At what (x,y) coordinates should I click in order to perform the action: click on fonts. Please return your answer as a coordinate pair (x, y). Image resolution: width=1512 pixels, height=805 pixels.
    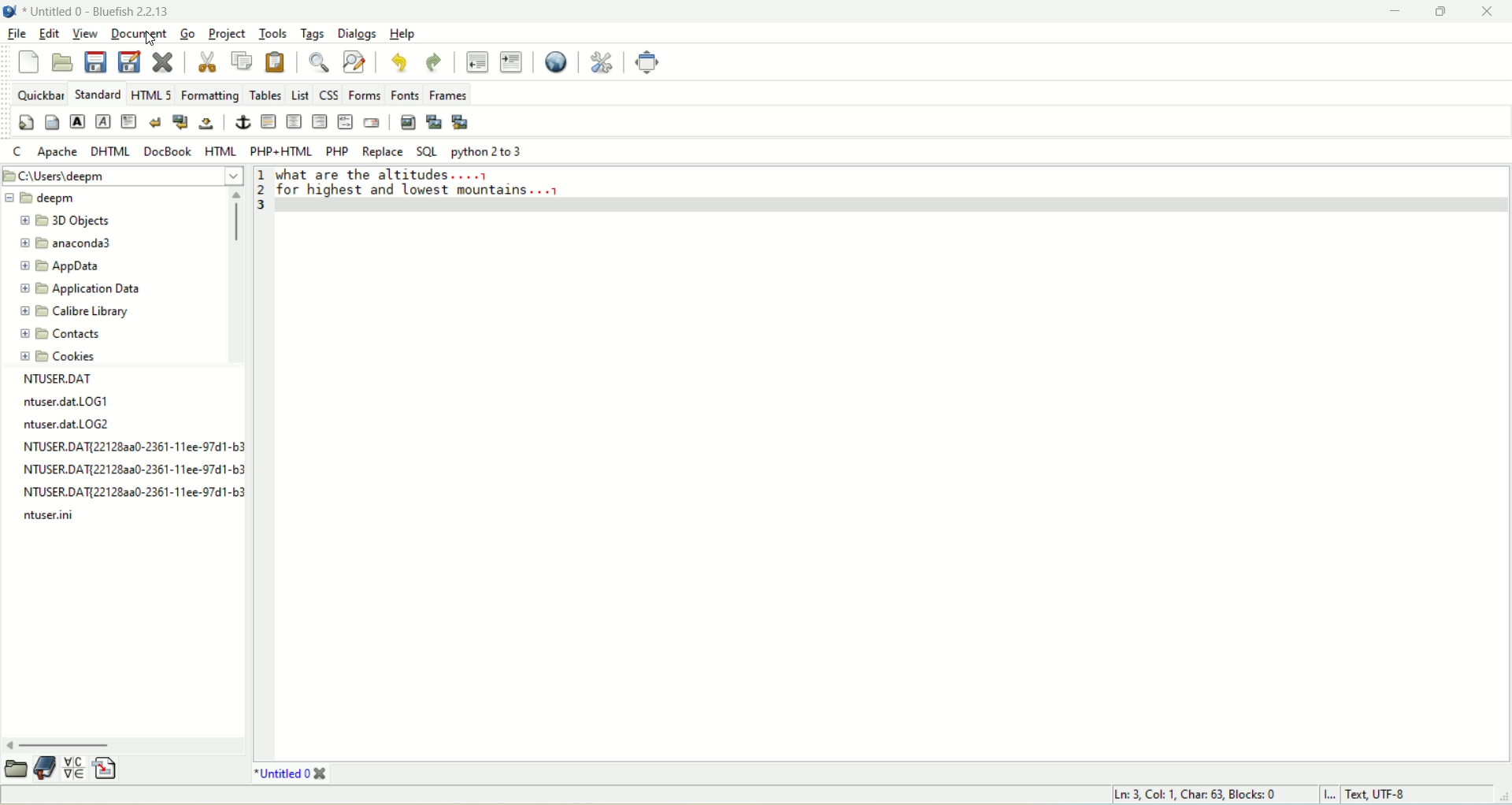
    Looking at the image, I should click on (403, 92).